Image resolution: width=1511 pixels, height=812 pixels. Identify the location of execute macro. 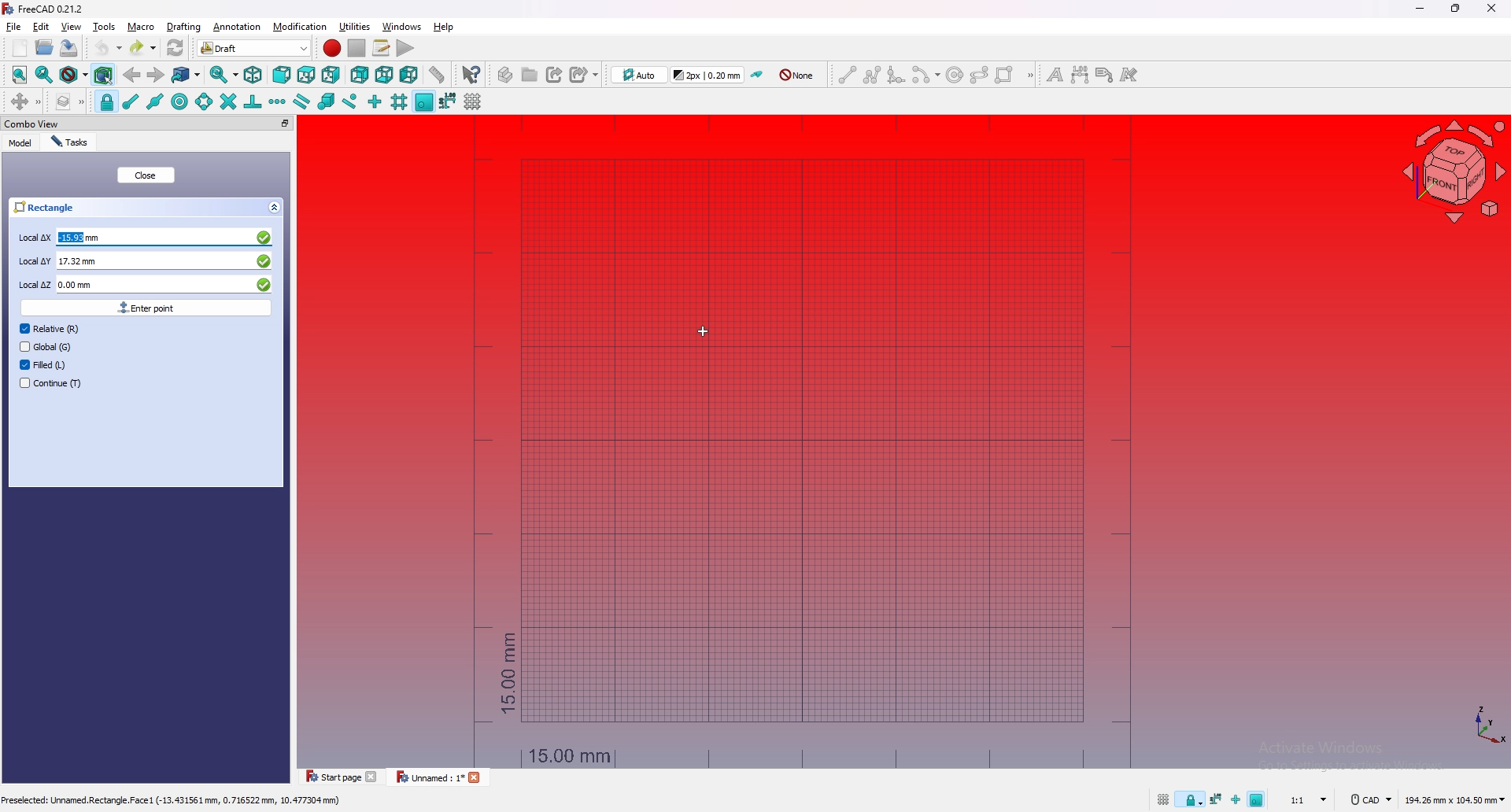
(405, 48).